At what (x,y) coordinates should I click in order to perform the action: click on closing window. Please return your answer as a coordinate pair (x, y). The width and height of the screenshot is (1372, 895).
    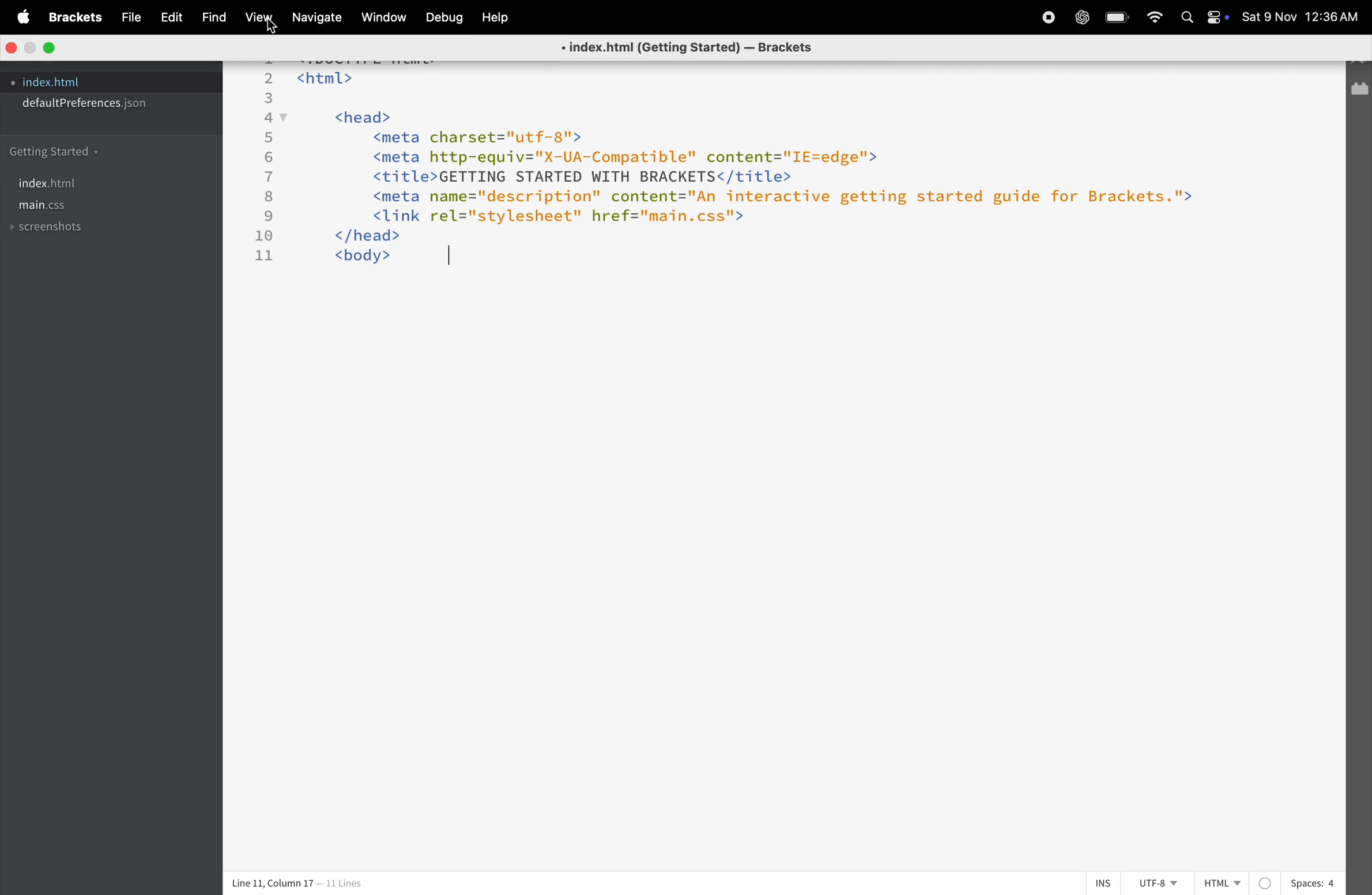
    Looking at the image, I should click on (12, 47).